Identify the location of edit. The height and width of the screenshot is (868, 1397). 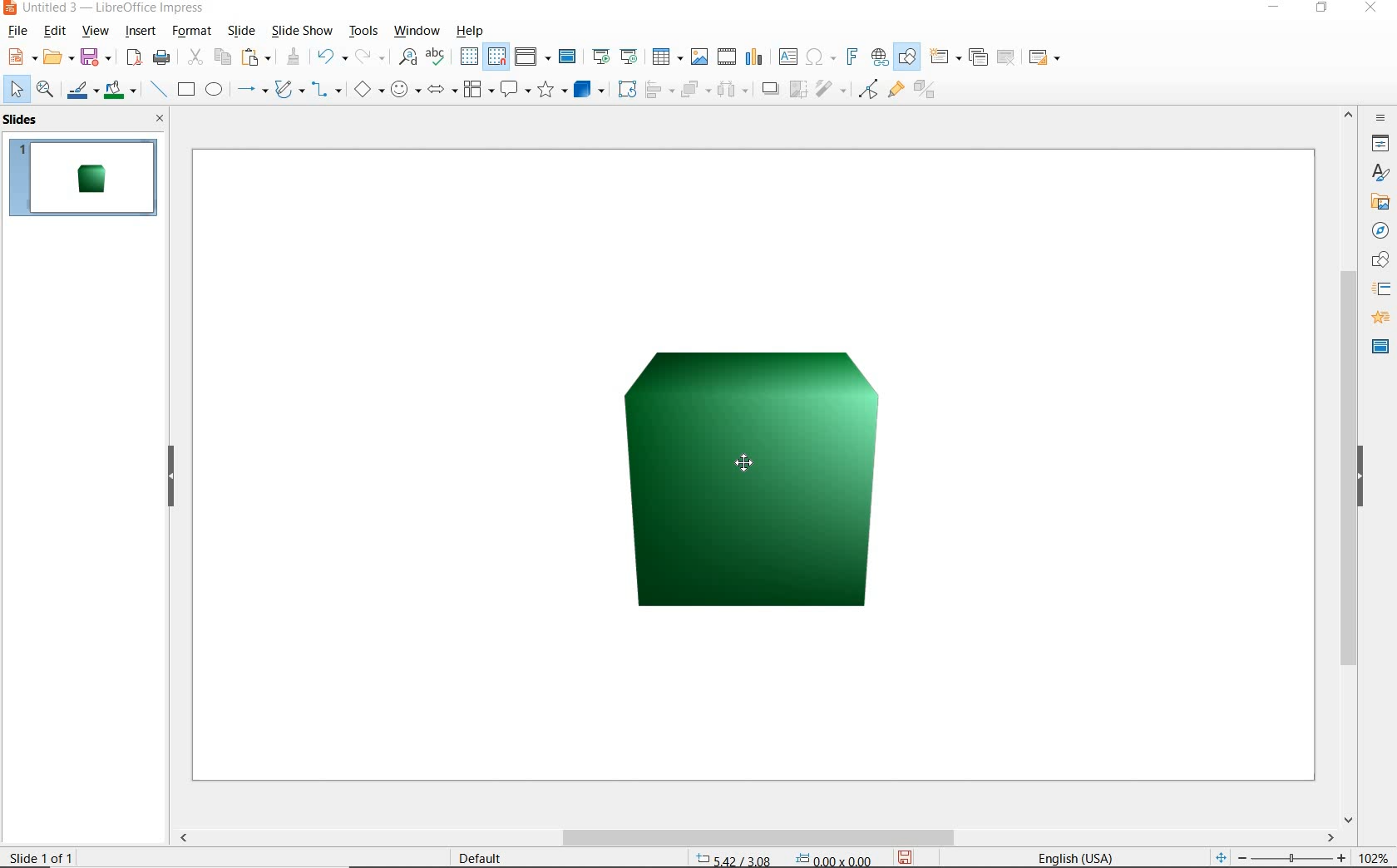
(55, 31).